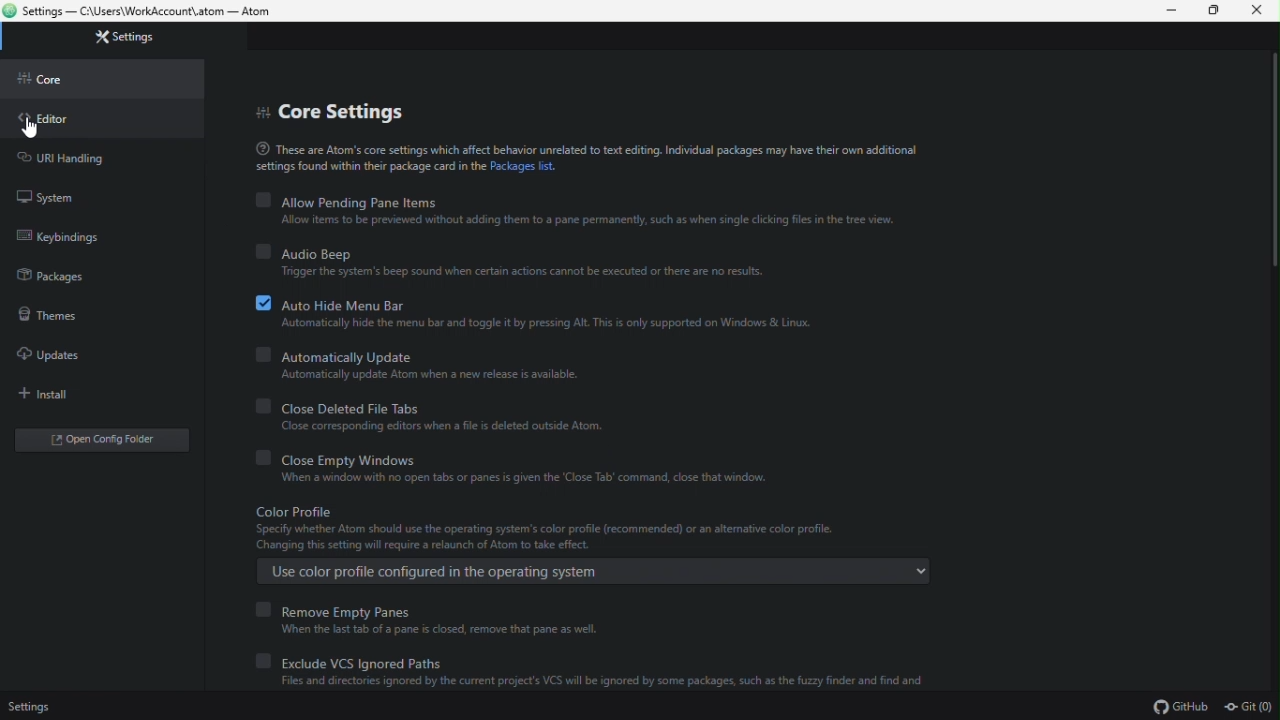 The width and height of the screenshot is (1280, 720). Describe the element at coordinates (593, 201) in the screenshot. I see `Allow pending Pane items` at that location.